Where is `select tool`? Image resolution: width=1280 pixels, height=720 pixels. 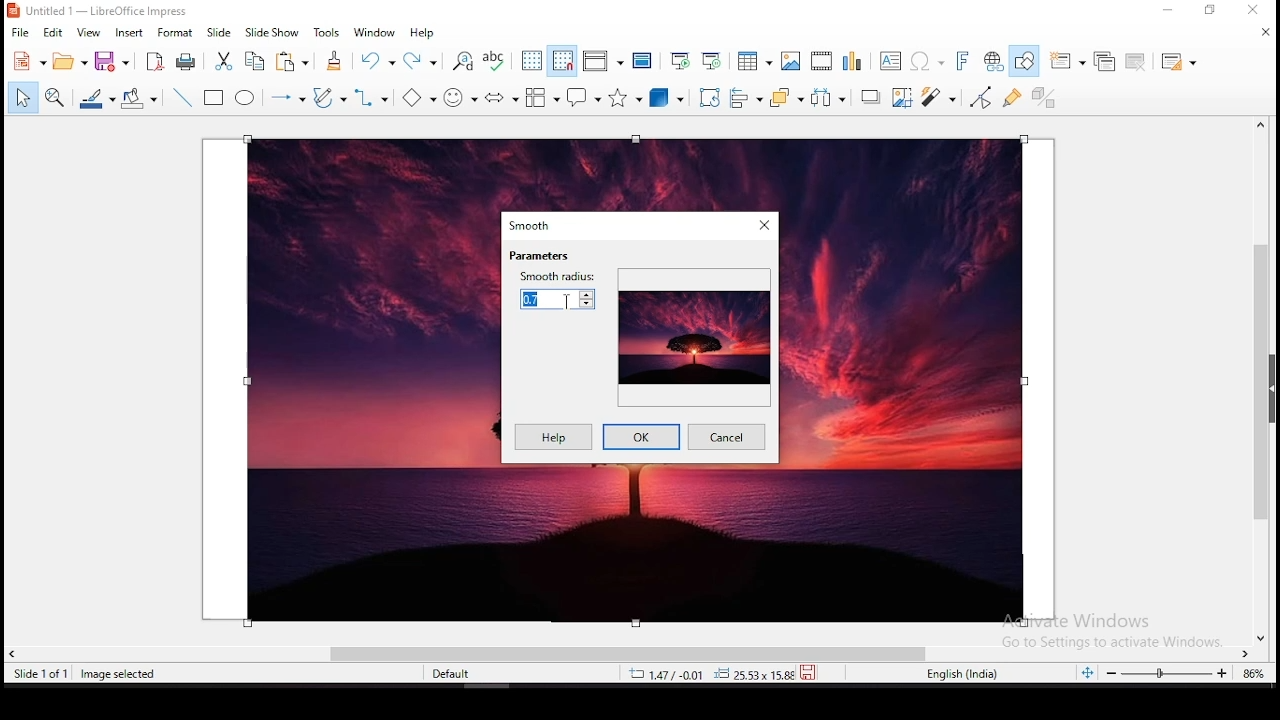
select tool is located at coordinates (20, 99).